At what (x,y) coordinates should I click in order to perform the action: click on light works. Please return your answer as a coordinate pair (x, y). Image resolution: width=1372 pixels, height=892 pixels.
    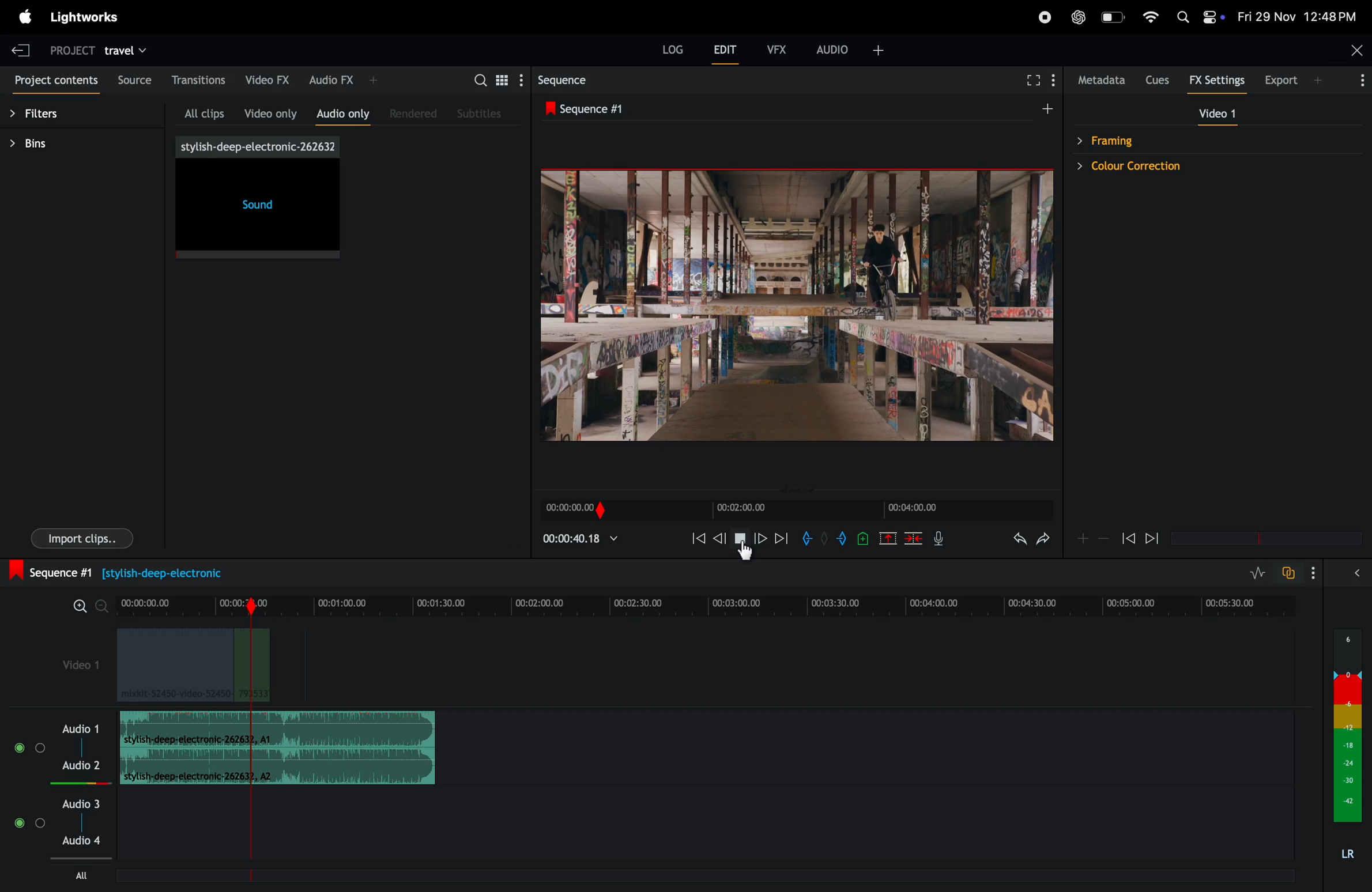
    Looking at the image, I should click on (87, 17).